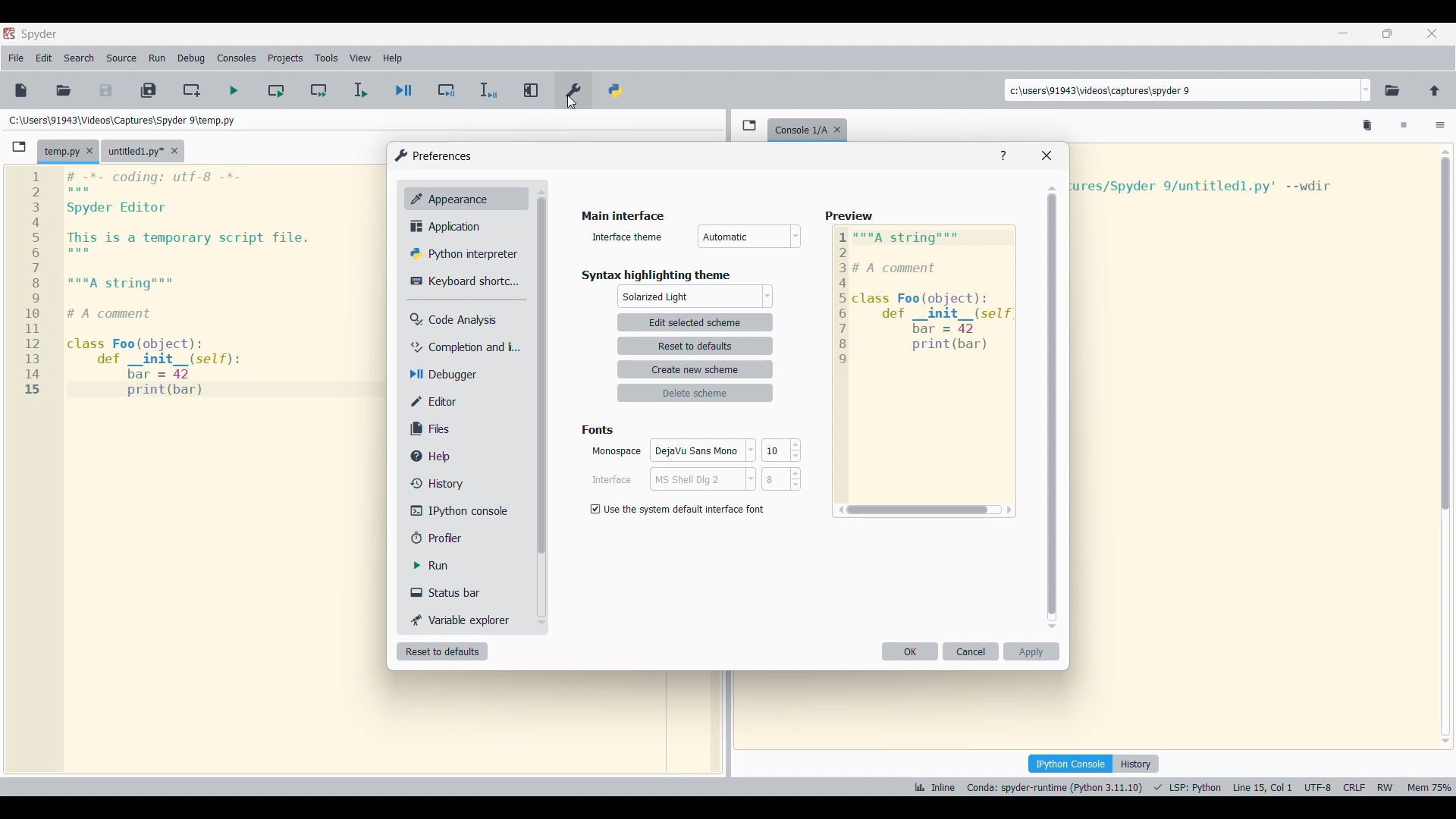 The height and width of the screenshot is (819, 1456). Describe the element at coordinates (143, 151) in the screenshot. I see `Other tab` at that location.